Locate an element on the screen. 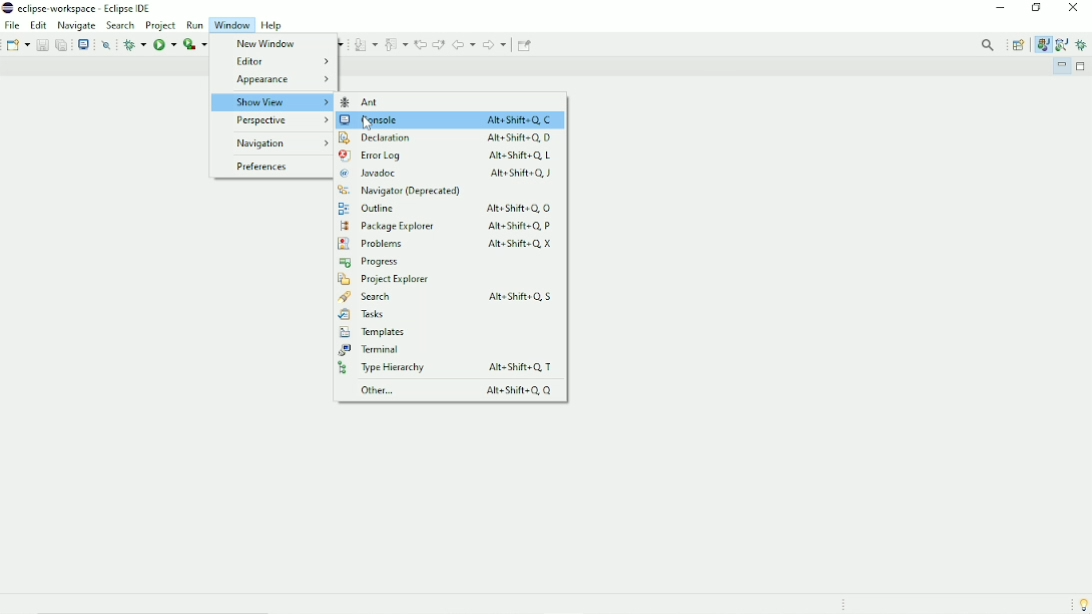  Package Explorer is located at coordinates (450, 225).